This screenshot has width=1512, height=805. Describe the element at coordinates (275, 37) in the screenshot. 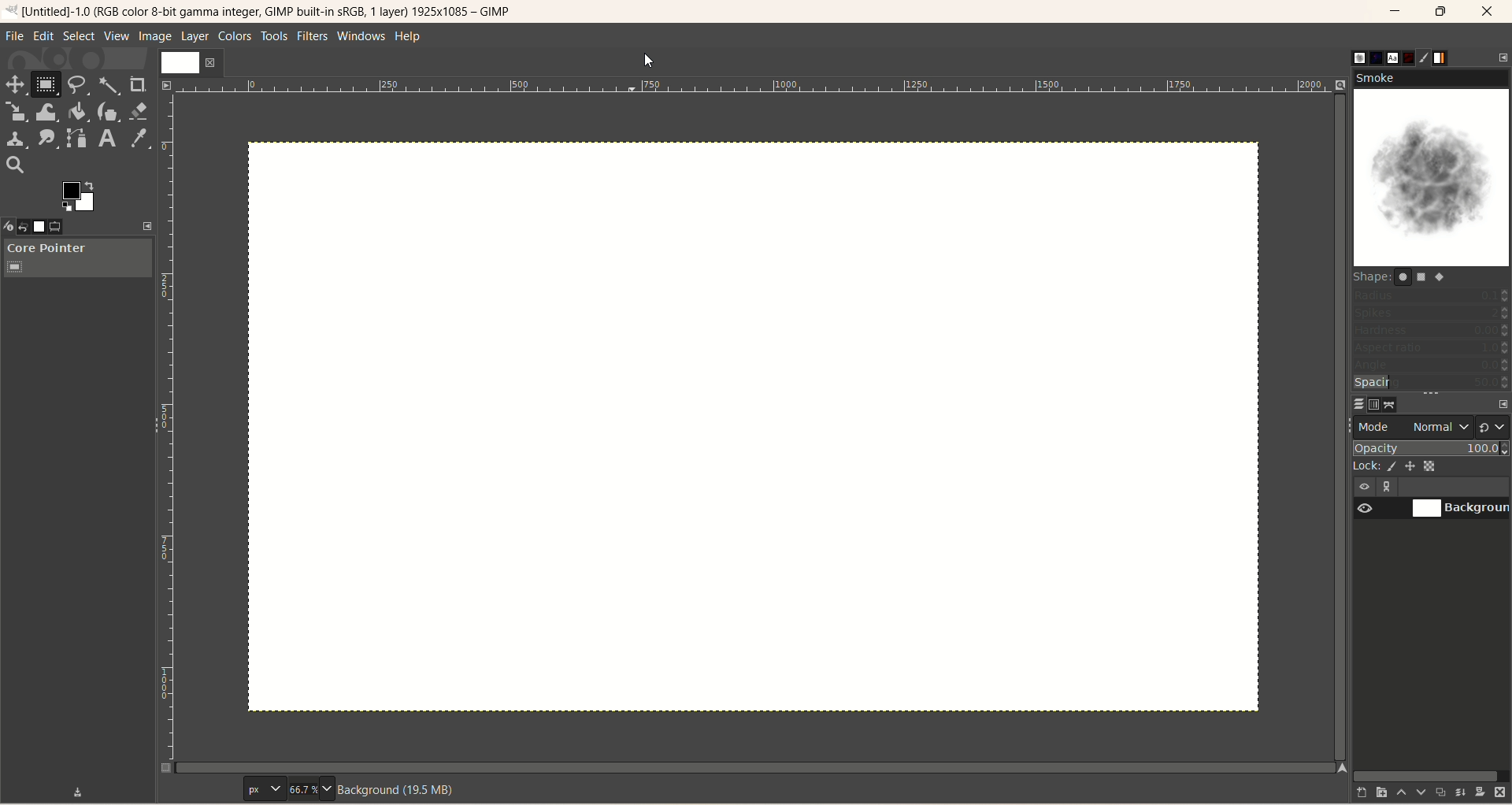

I see `tools` at that location.